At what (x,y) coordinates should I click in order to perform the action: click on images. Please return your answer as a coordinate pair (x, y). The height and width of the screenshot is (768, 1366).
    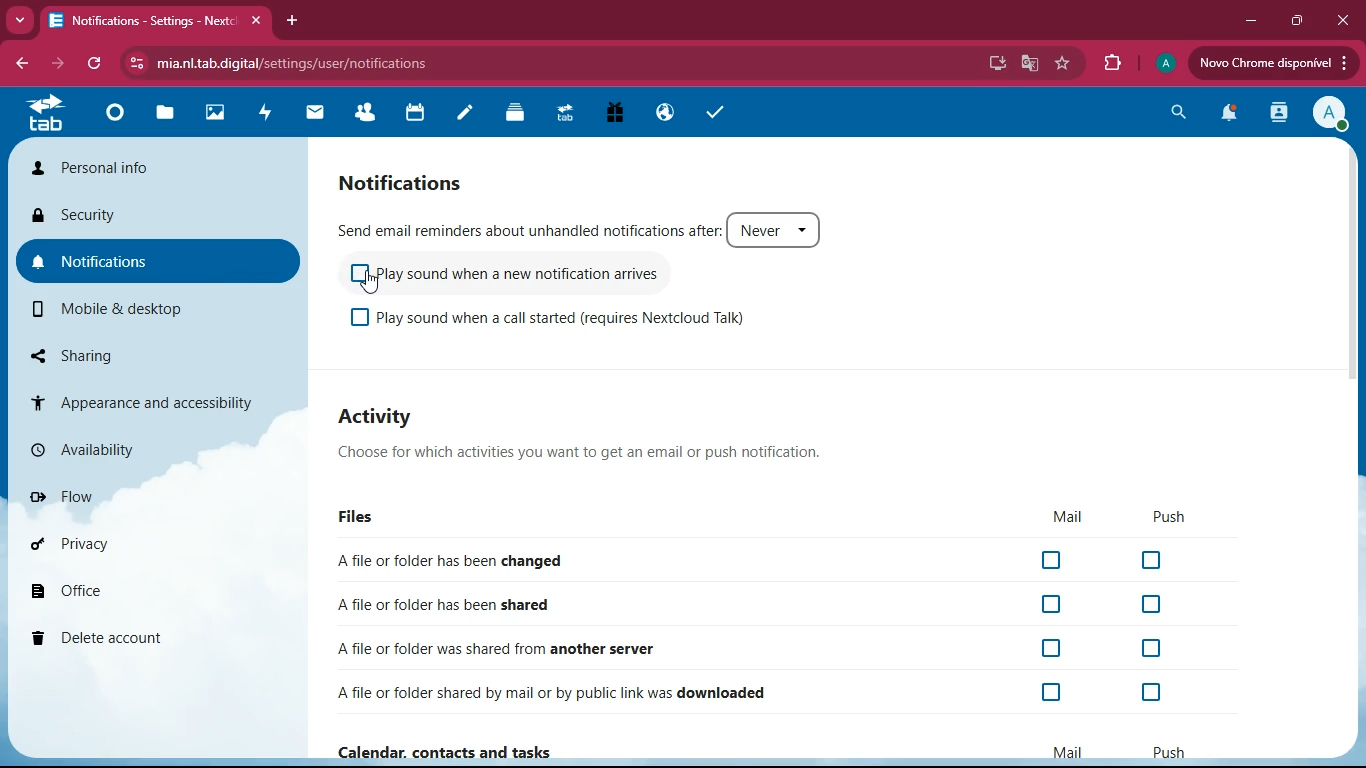
    Looking at the image, I should click on (221, 114).